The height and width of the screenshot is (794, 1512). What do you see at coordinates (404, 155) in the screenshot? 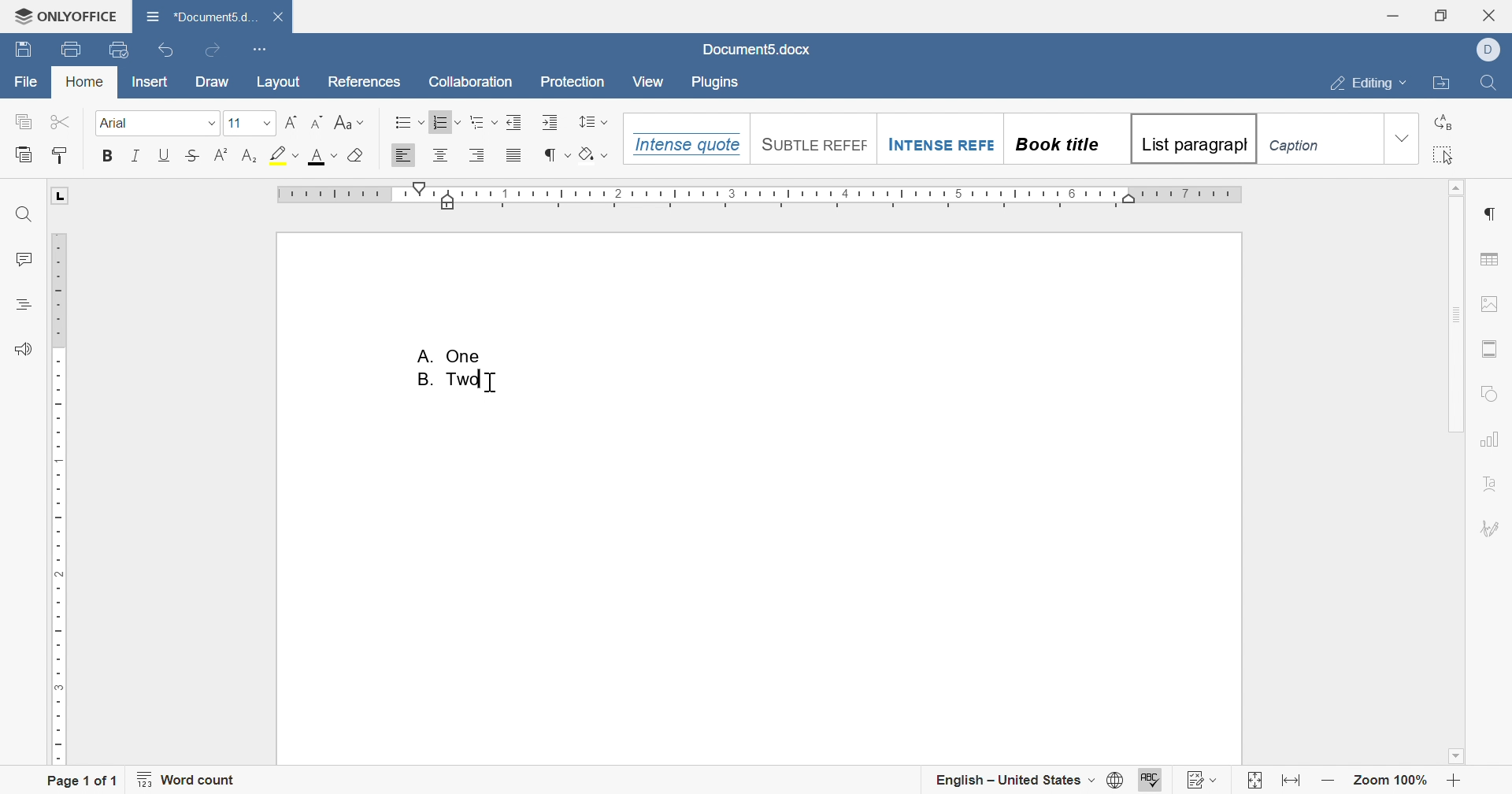
I see `Align Left` at bounding box center [404, 155].